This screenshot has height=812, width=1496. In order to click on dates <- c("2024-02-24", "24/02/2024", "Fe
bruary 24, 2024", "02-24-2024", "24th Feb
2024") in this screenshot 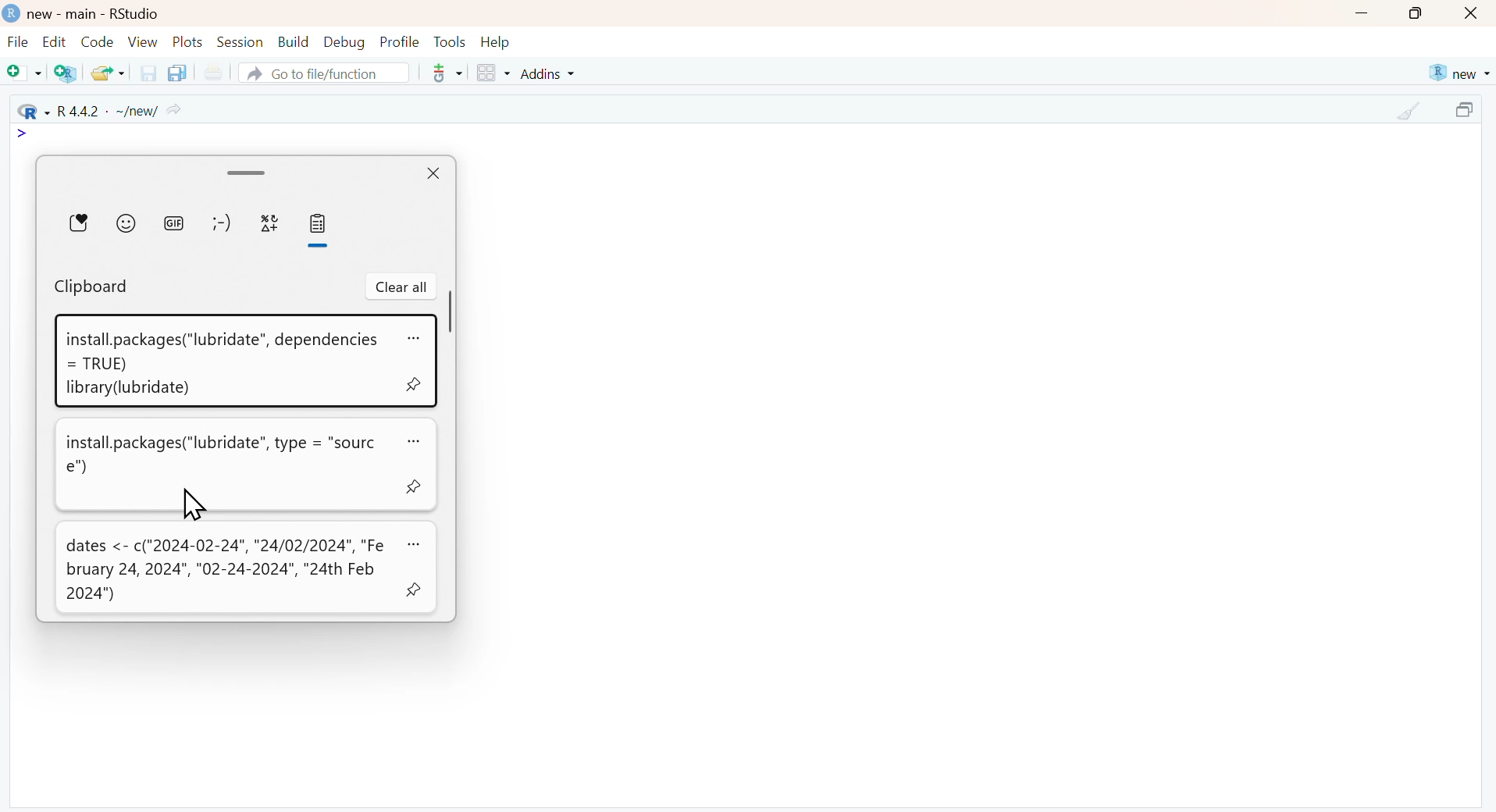, I will do `click(225, 570)`.